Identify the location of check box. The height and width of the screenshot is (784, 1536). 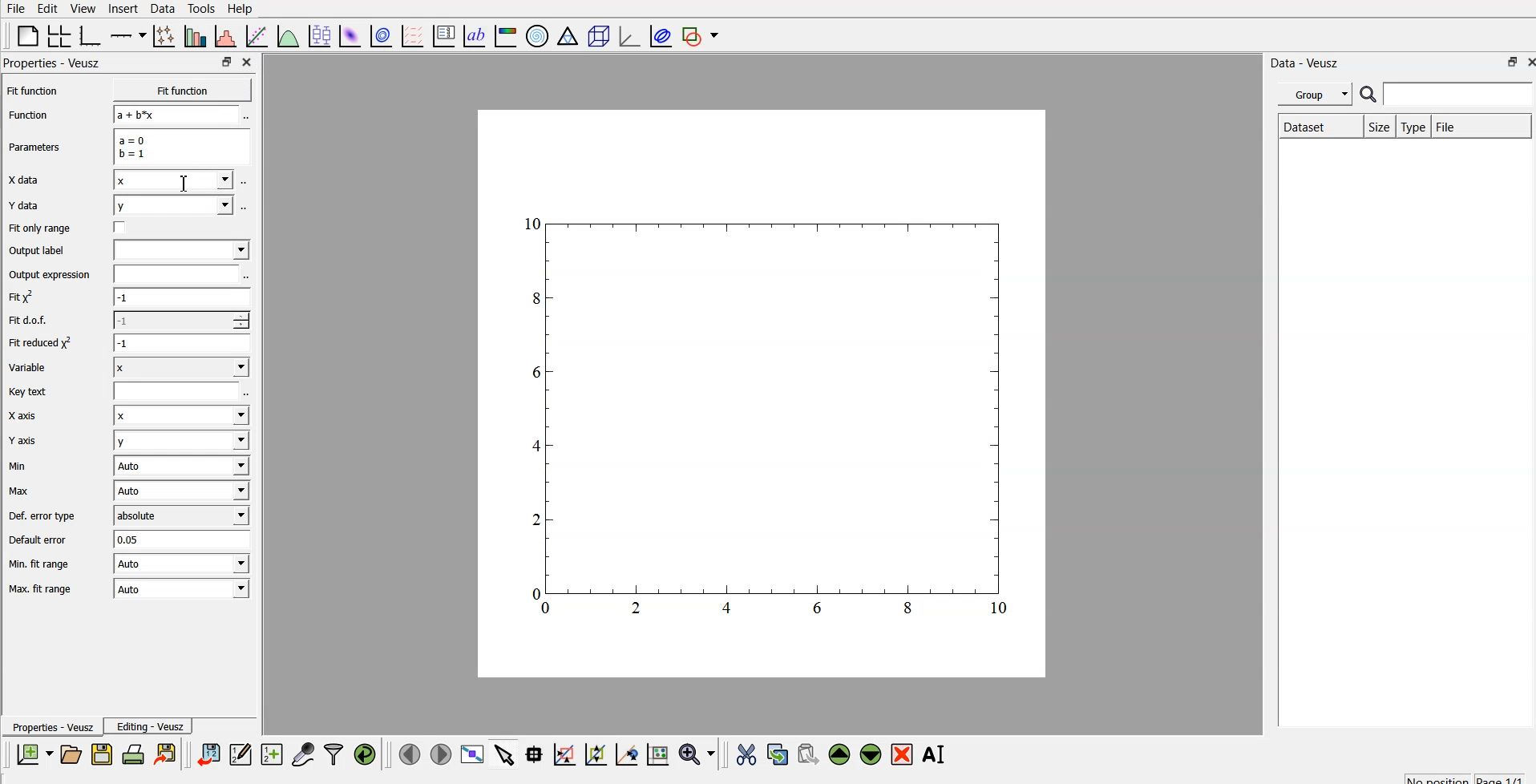
(122, 227).